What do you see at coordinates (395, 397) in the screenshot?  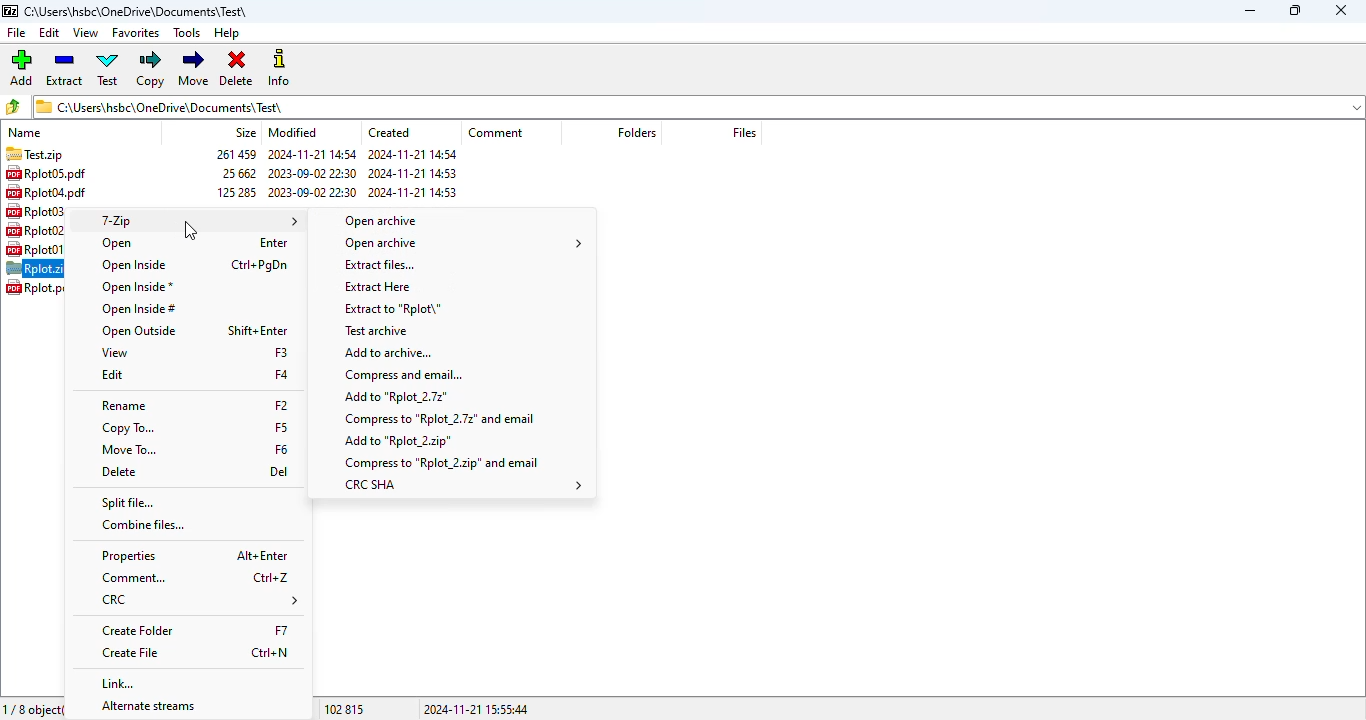 I see `add to Rplot_2.7z` at bounding box center [395, 397].